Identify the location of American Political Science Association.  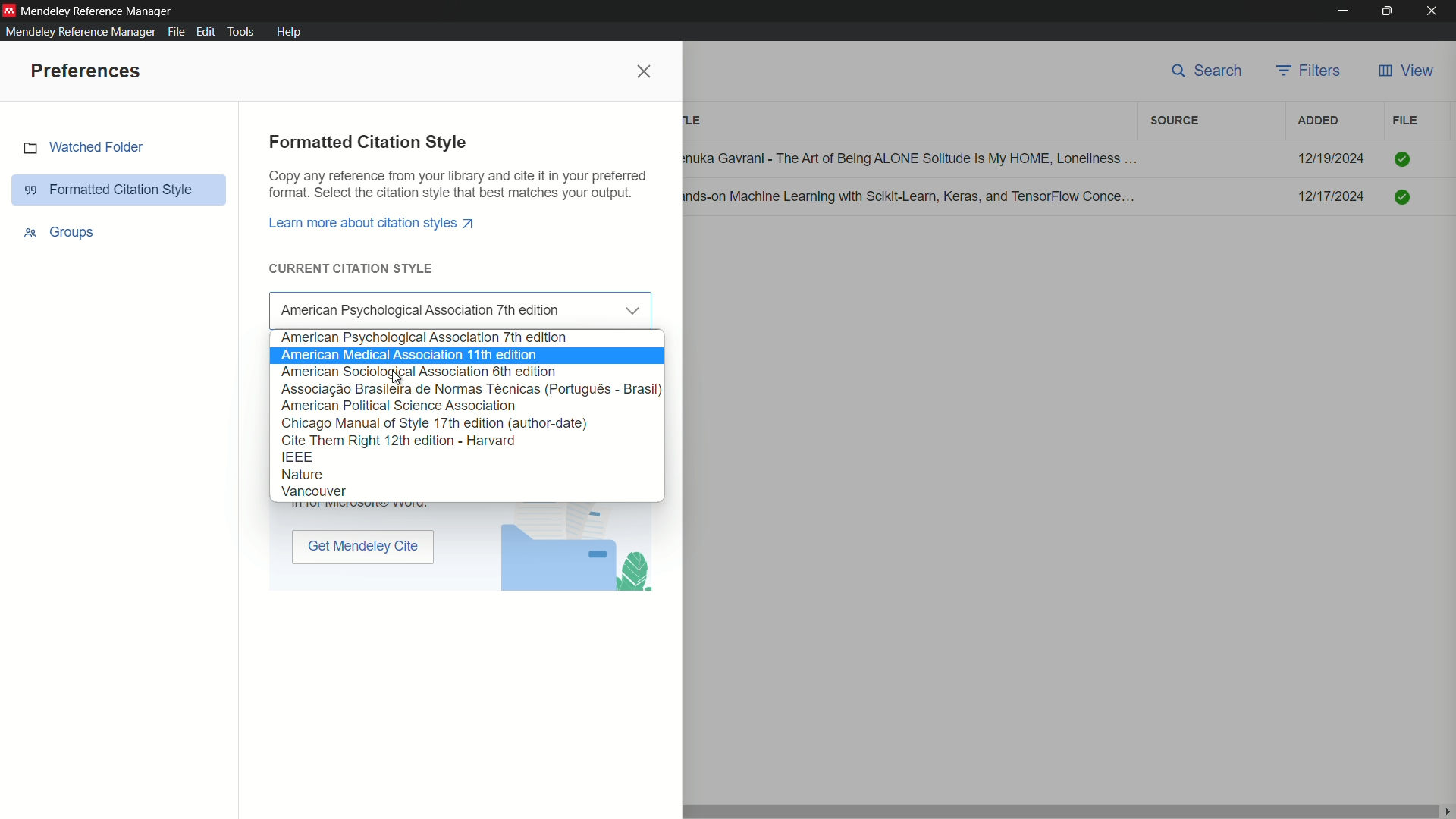
(467, 405).